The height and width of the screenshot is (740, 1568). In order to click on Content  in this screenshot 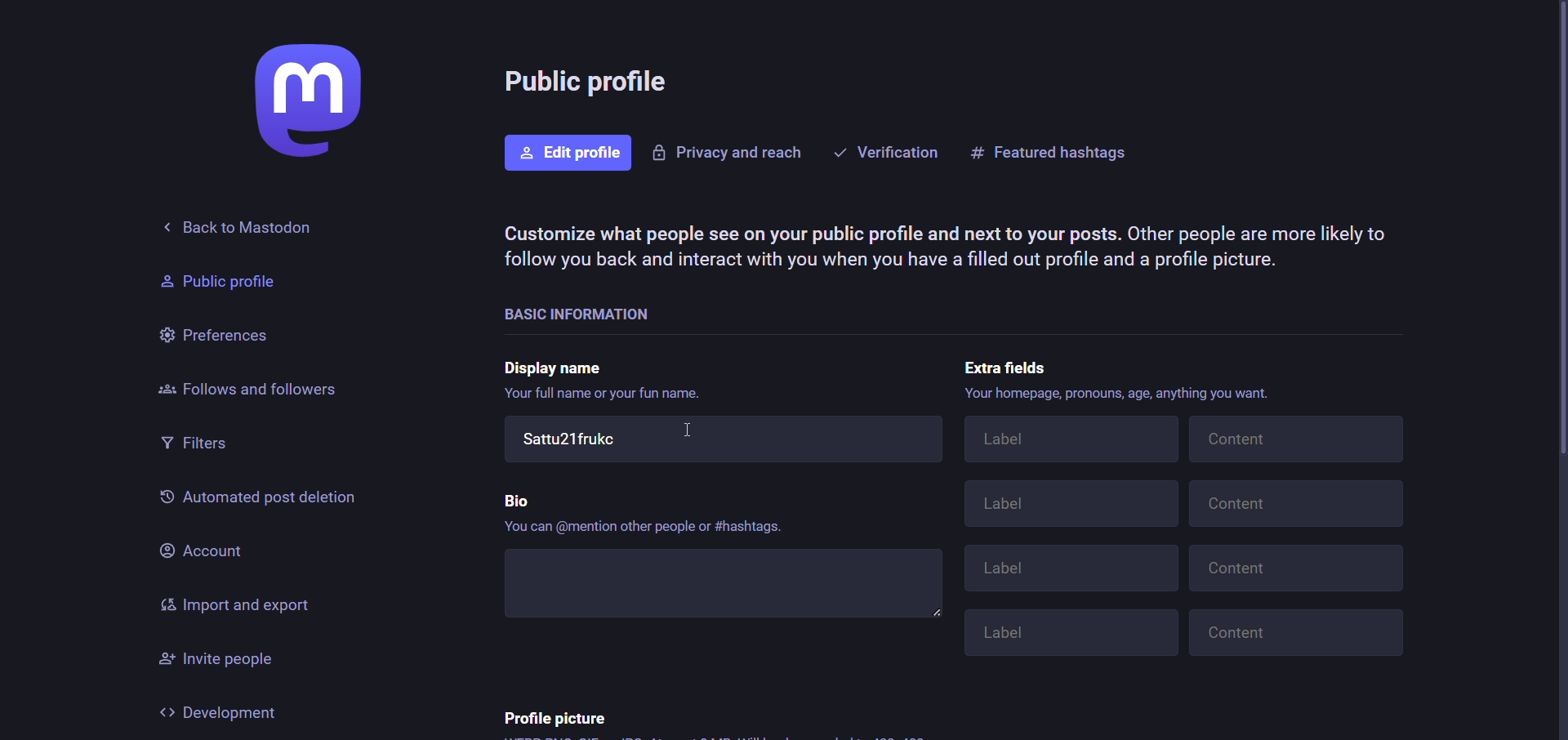, I will do `click(1297, 504)`.